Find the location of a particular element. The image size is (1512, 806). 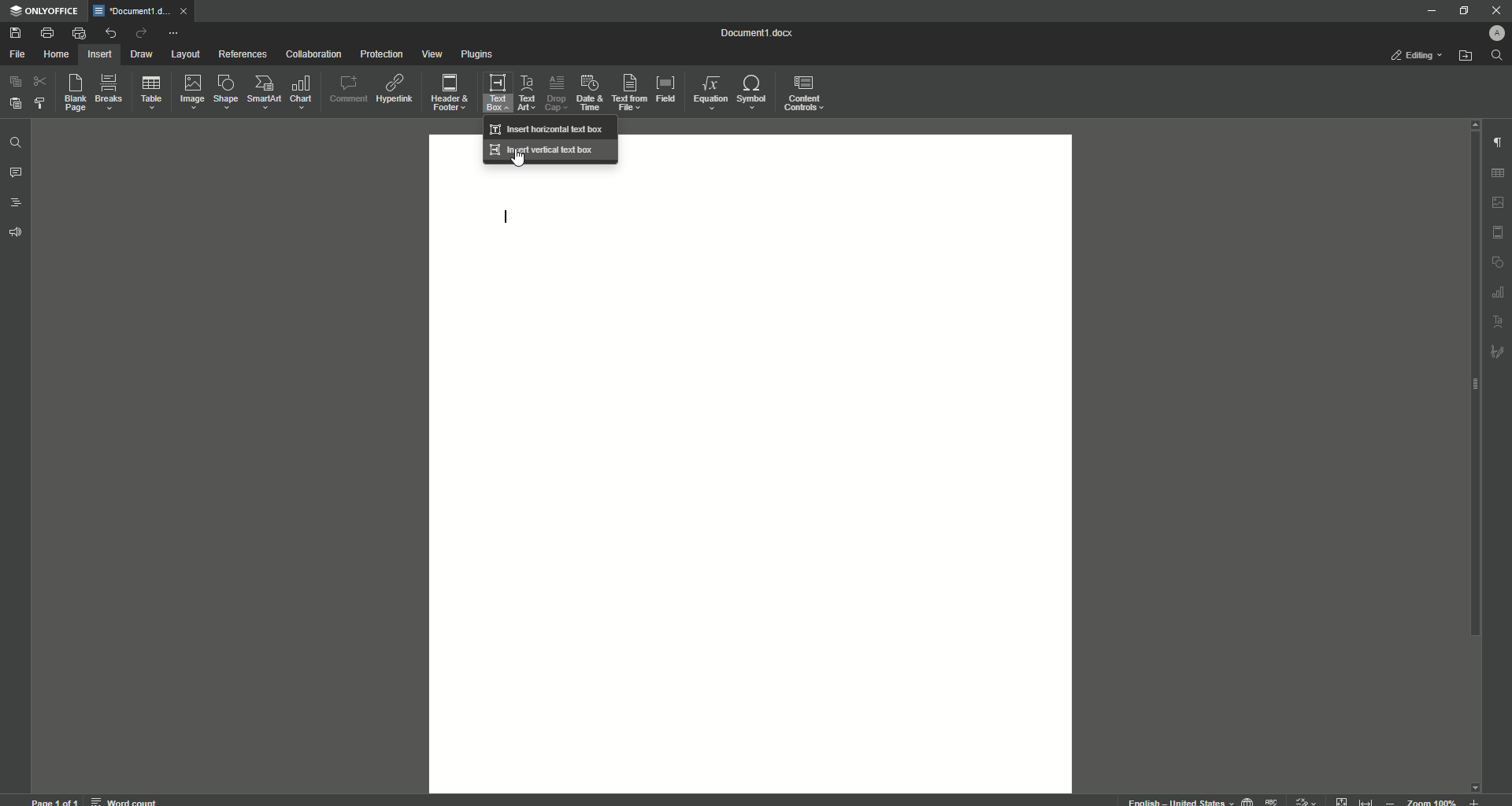

signature is located at coordinates (1498, 353).